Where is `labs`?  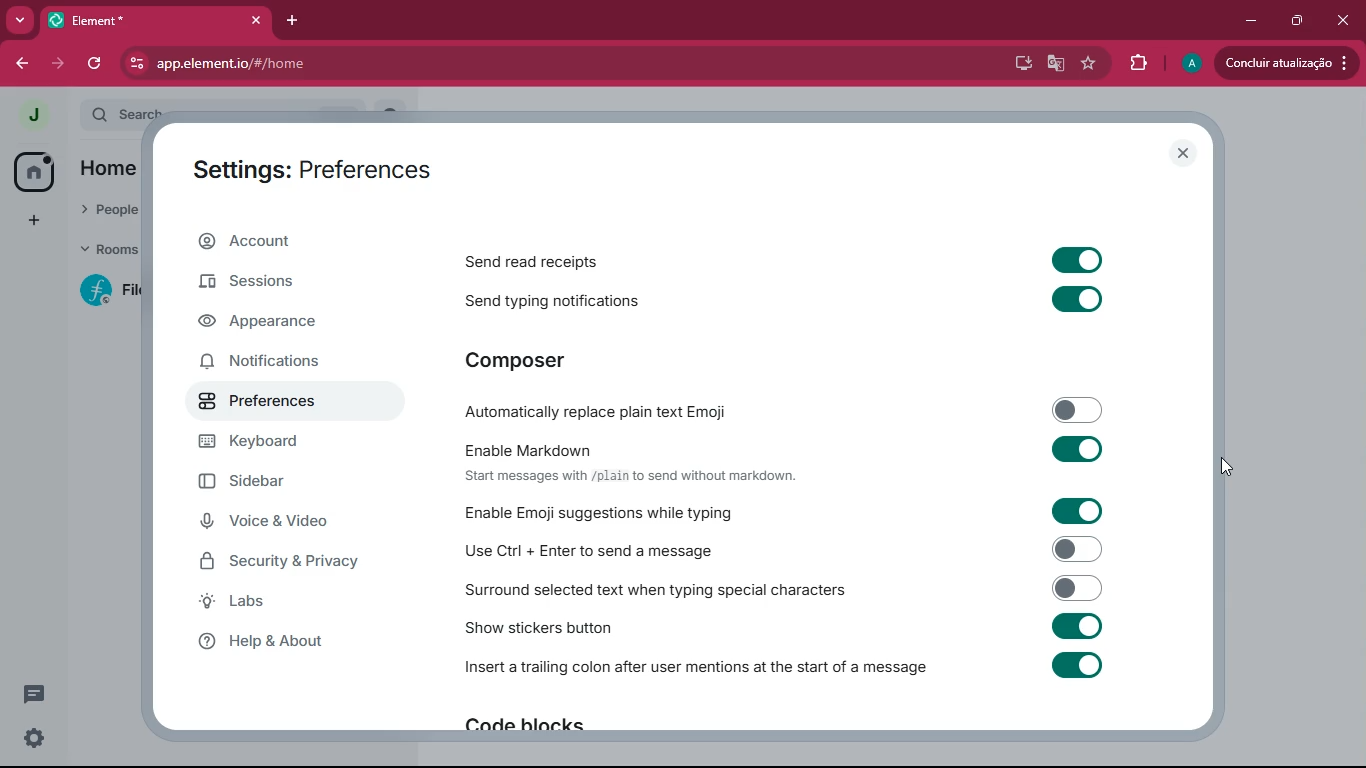 labs is located at coordinates (277, 604).